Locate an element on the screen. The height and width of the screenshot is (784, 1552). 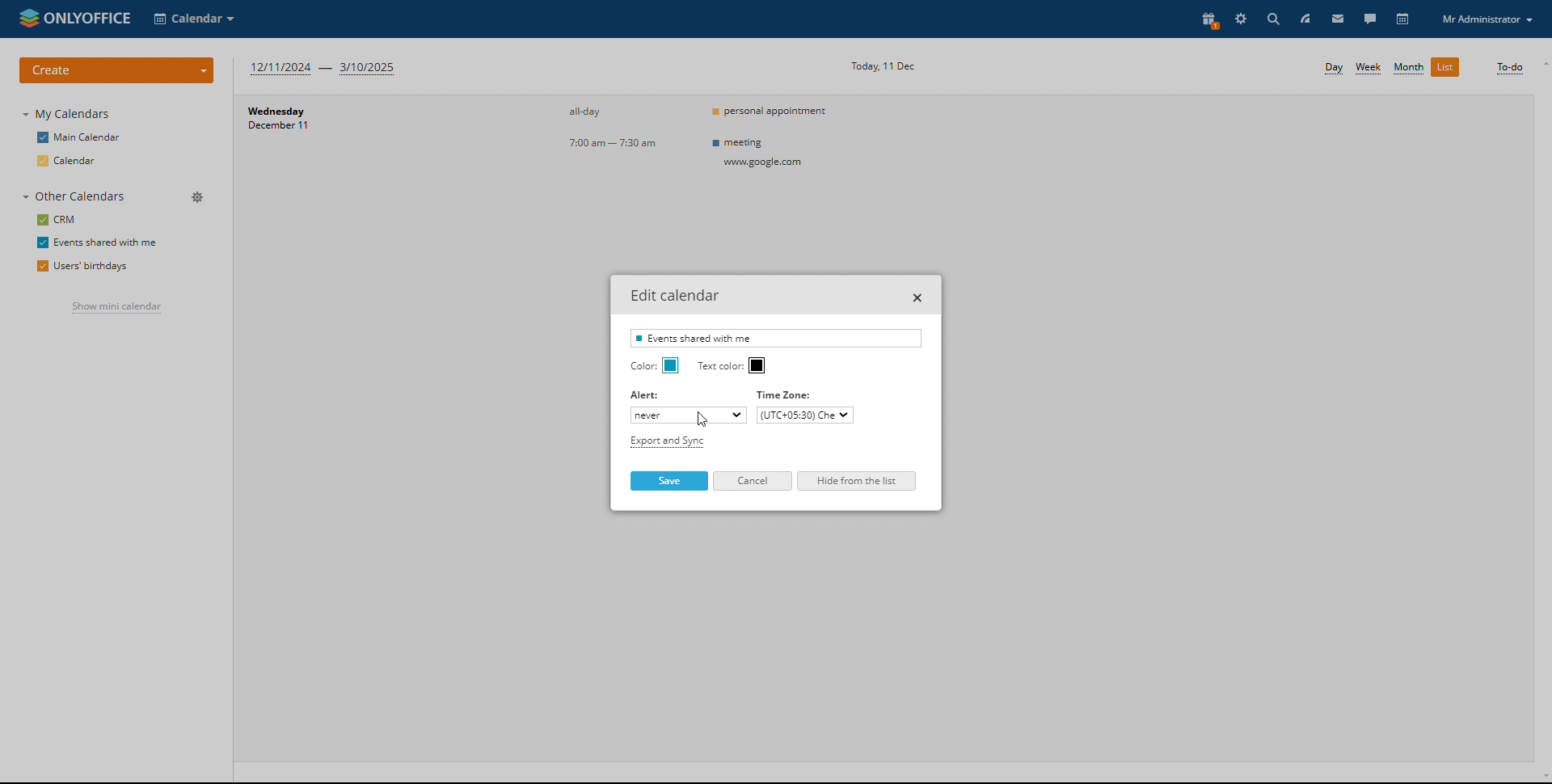
calednar color is located at coordinates (671, 365).